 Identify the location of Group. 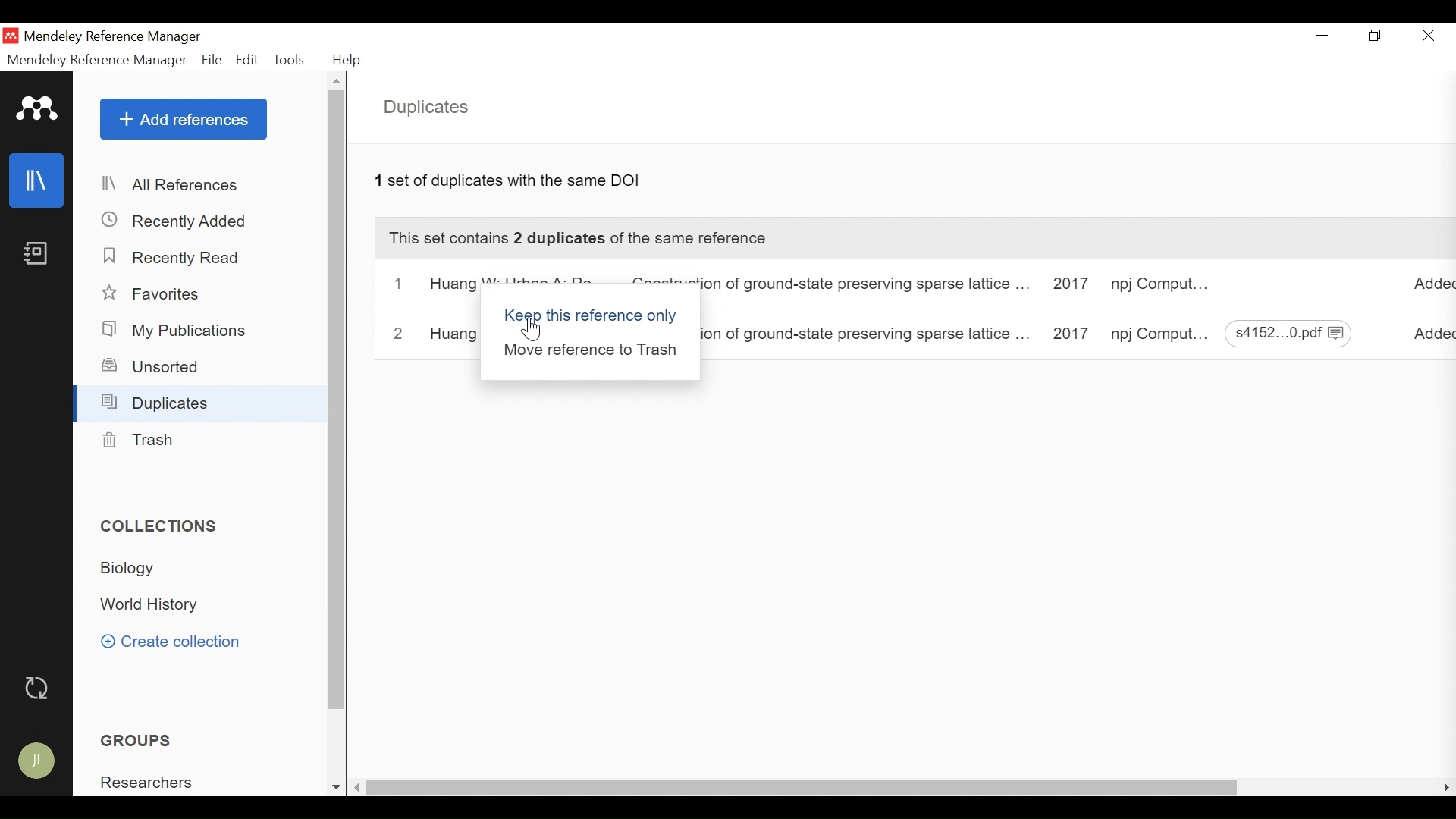
(147, 781).